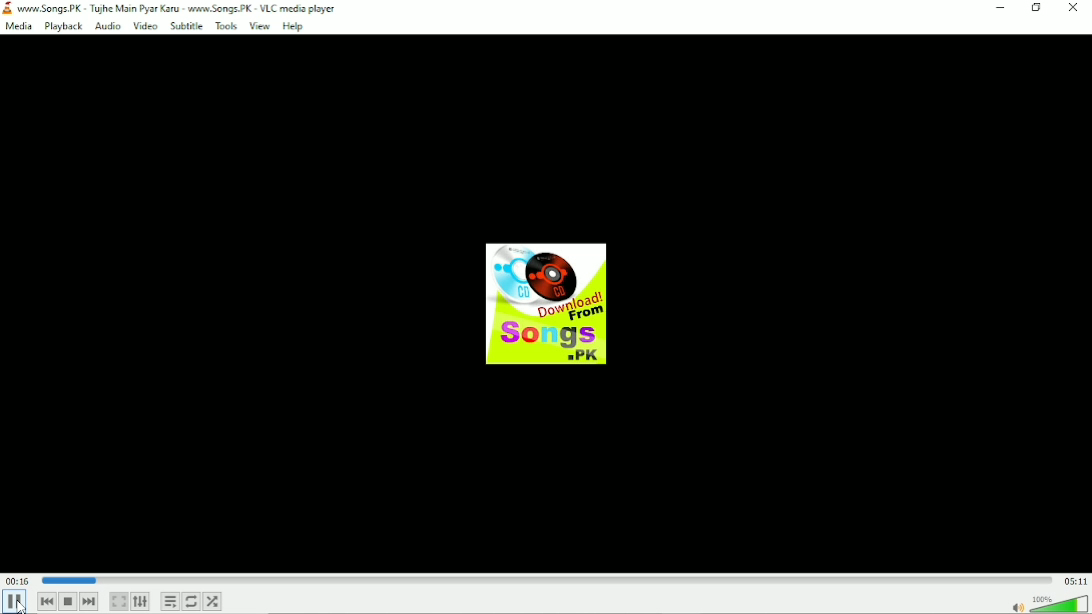 This screenshot has height=614, width=1092. I want to click on Volume, so click(1049, 605).